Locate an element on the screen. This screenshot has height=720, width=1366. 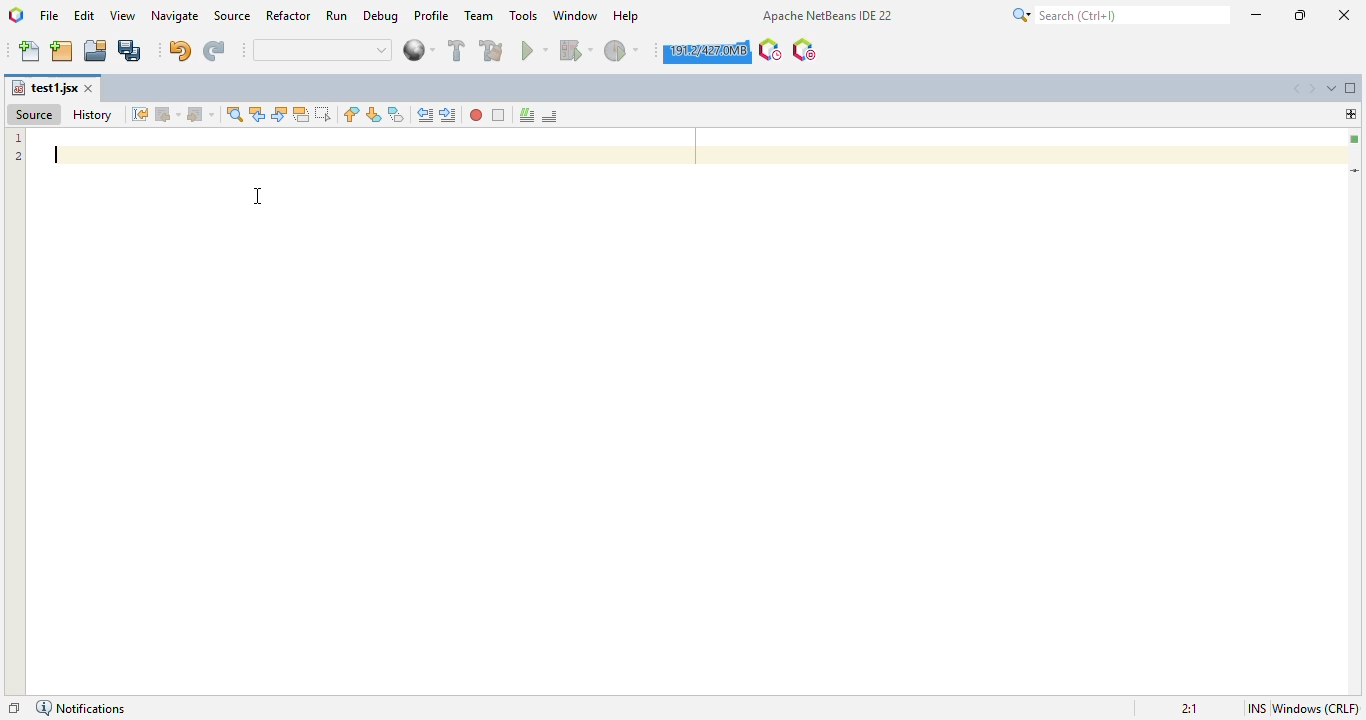
forward is located at coordinates (200, 114).